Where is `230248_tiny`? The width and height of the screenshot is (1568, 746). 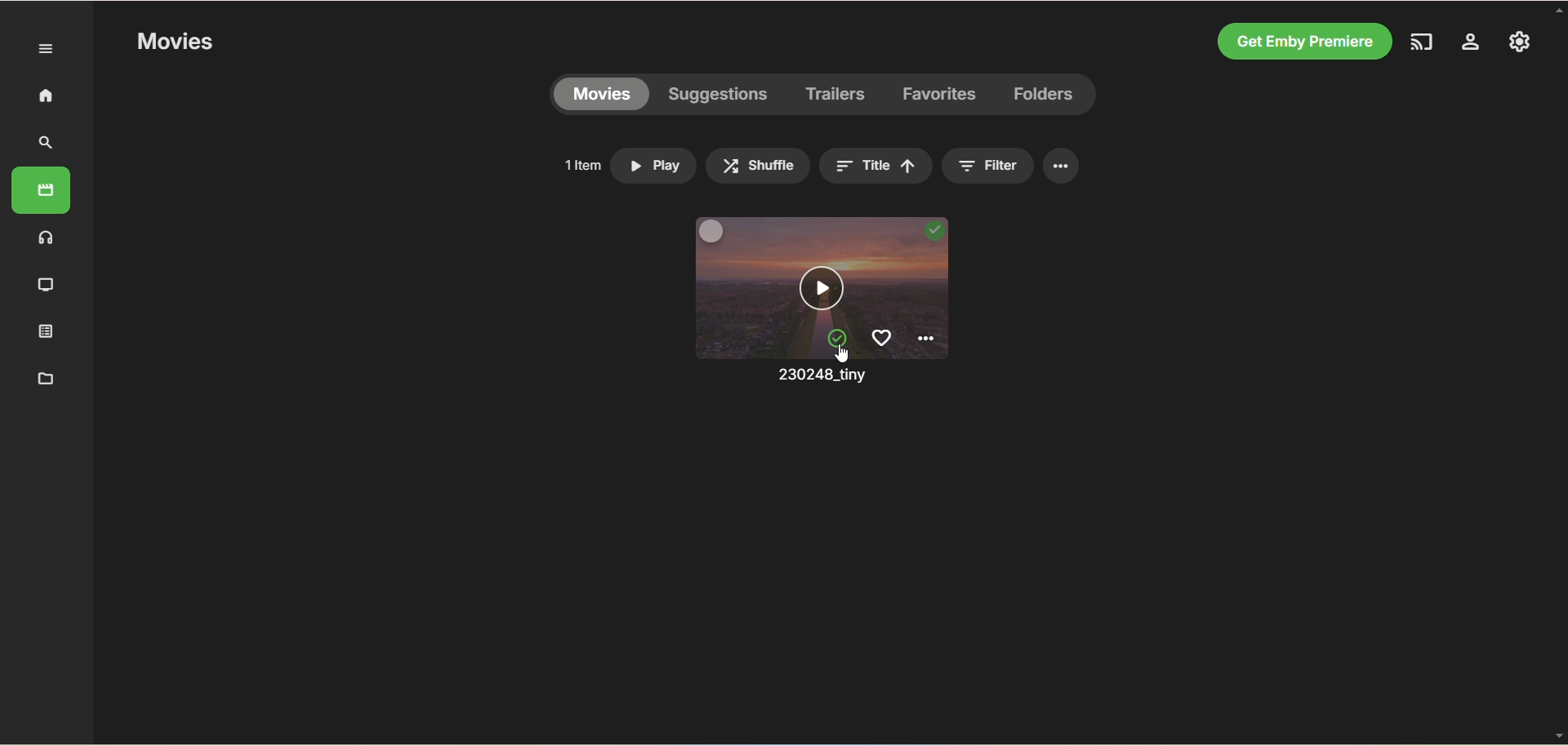
230248_tiny is located at coordinates (815, 377).